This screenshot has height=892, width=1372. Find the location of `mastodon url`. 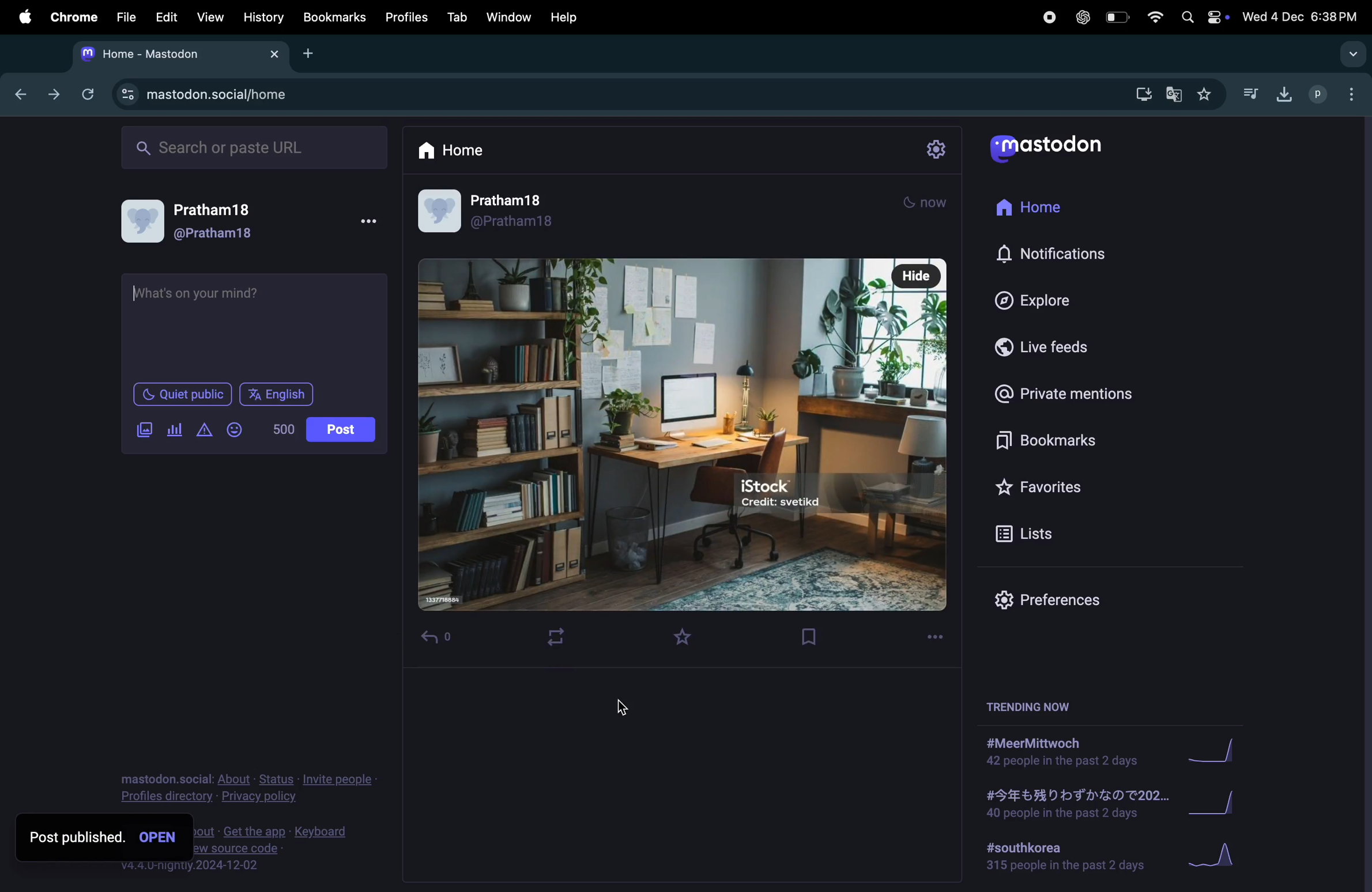

mastodon url is located at coordinates (203, 94).